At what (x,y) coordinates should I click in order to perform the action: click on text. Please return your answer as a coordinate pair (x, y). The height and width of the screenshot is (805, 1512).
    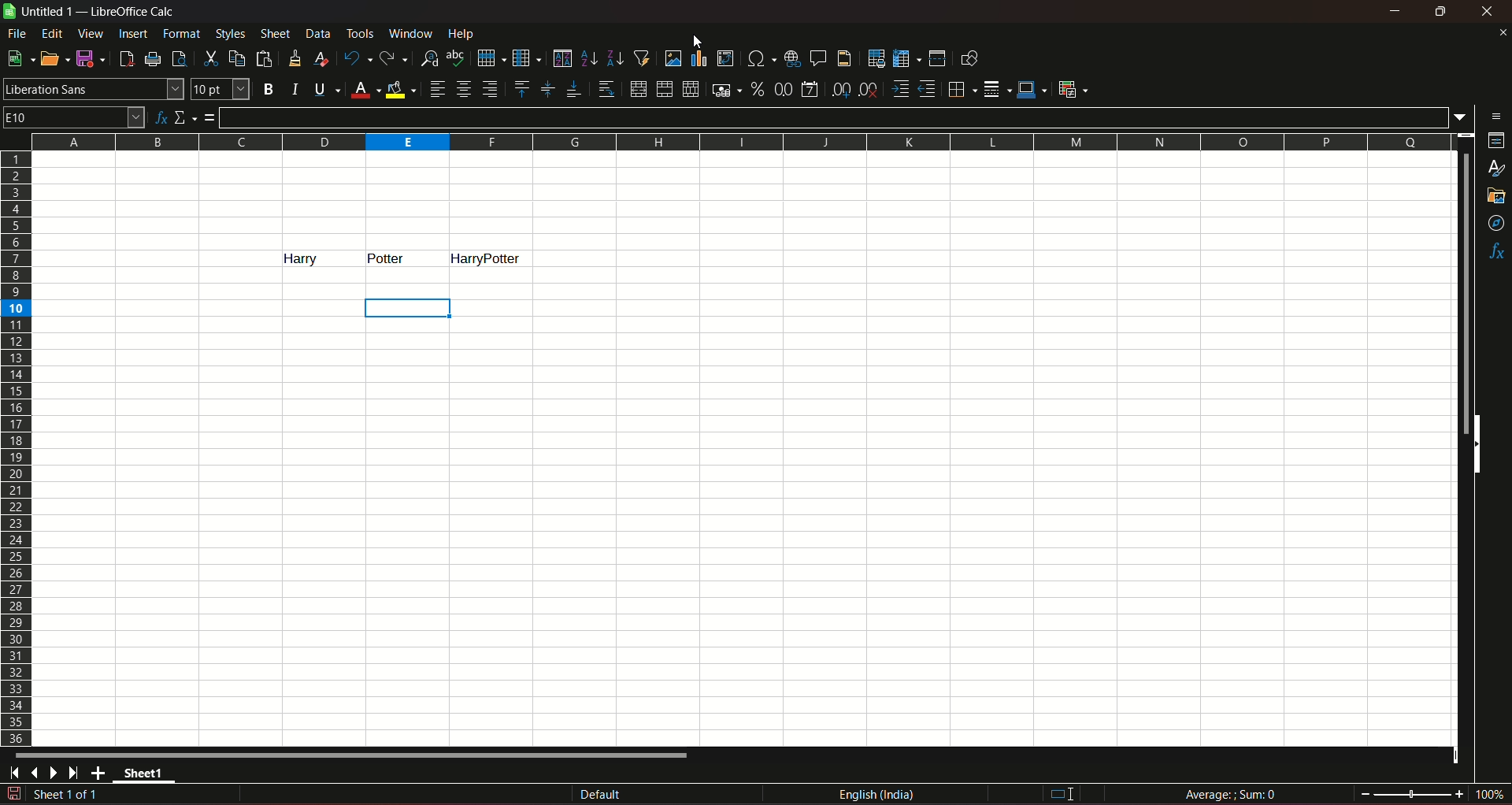
    Looking at the image, I should click on (388, 258).